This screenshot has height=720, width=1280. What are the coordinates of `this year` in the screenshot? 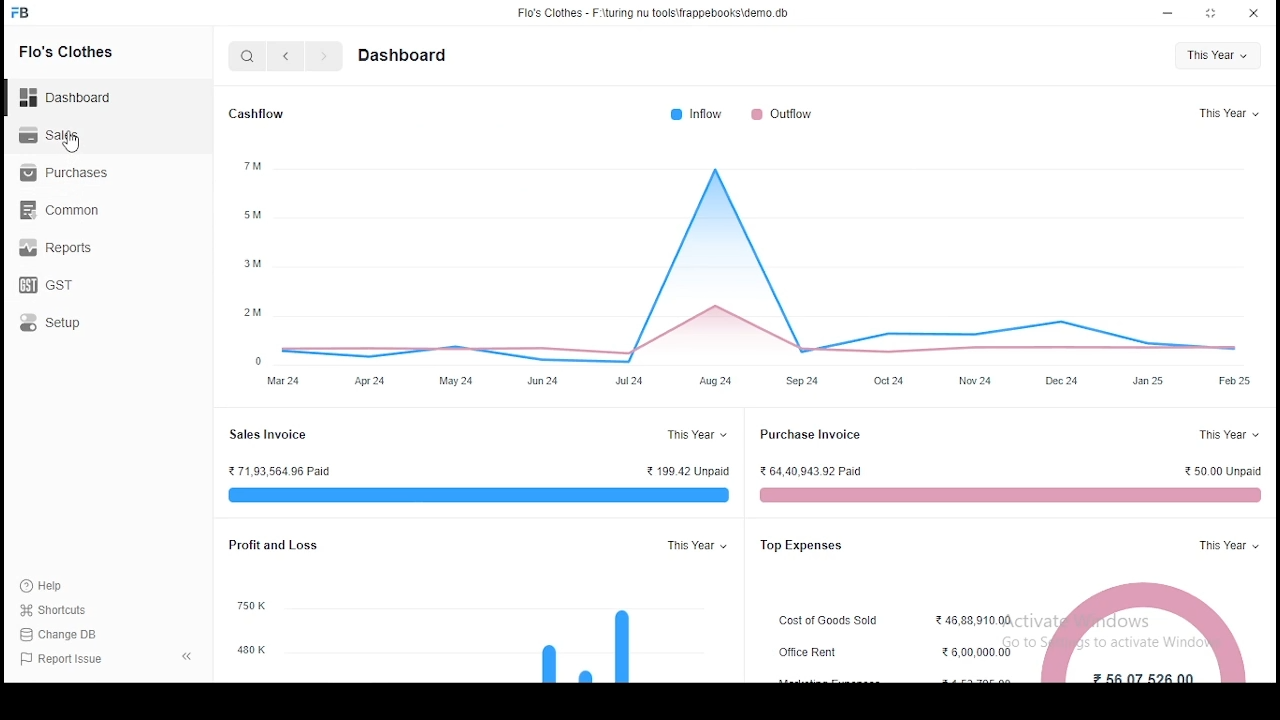 It's located at (1216, 56).